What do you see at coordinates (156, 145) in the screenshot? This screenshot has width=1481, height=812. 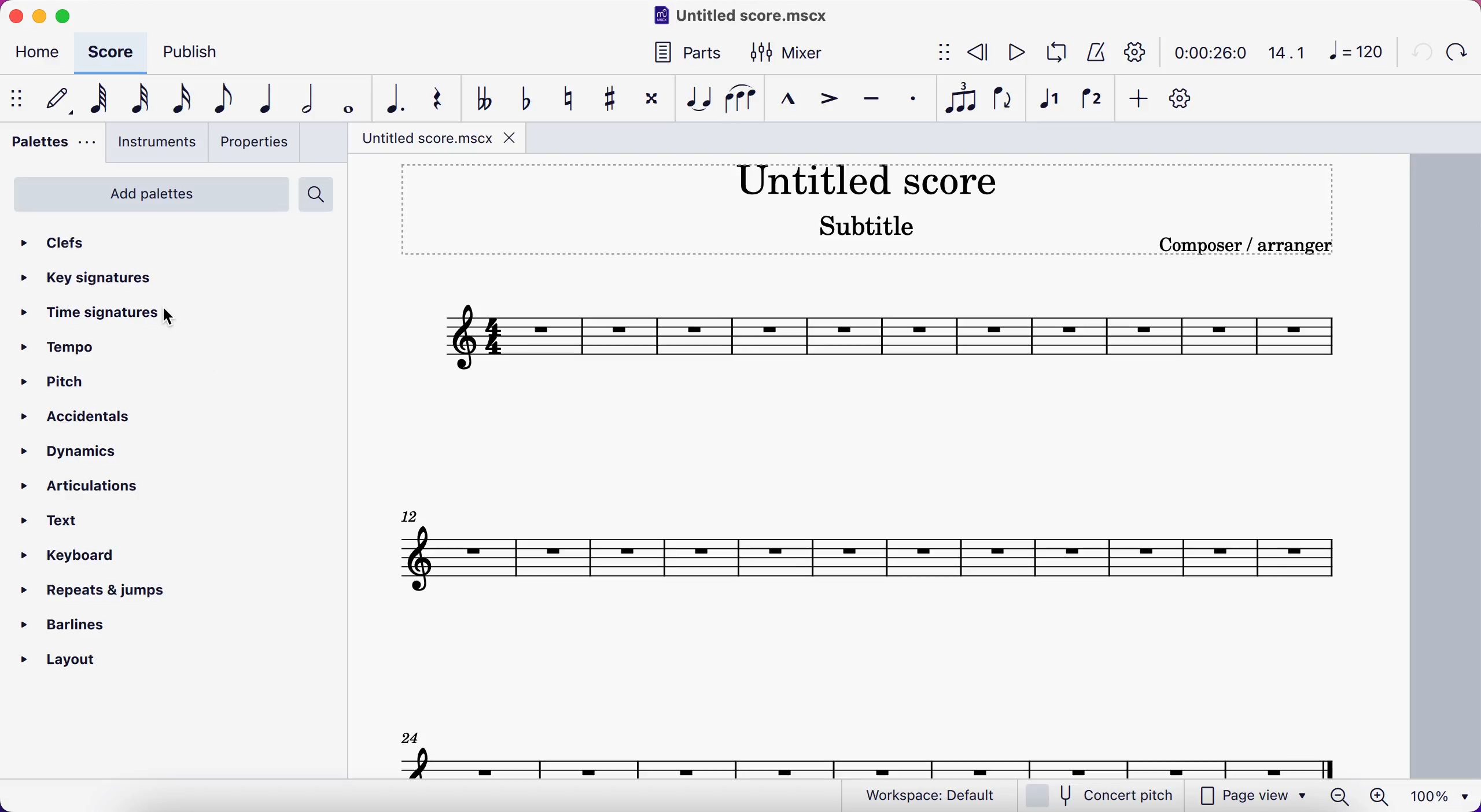 I see `instruments` at bounding box center [156, 145].